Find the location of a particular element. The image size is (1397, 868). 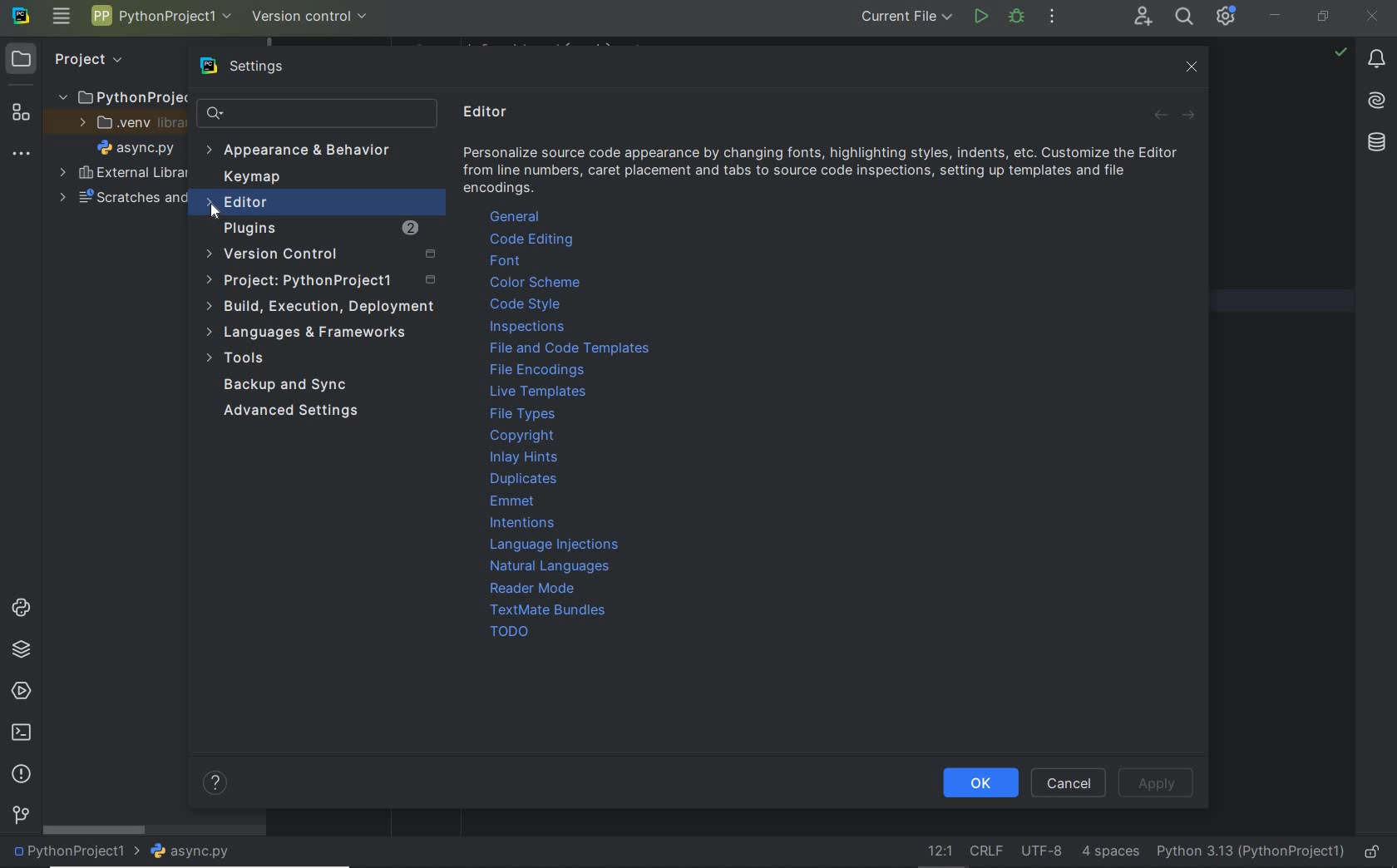

Tools is located at coordinates (236, 358).